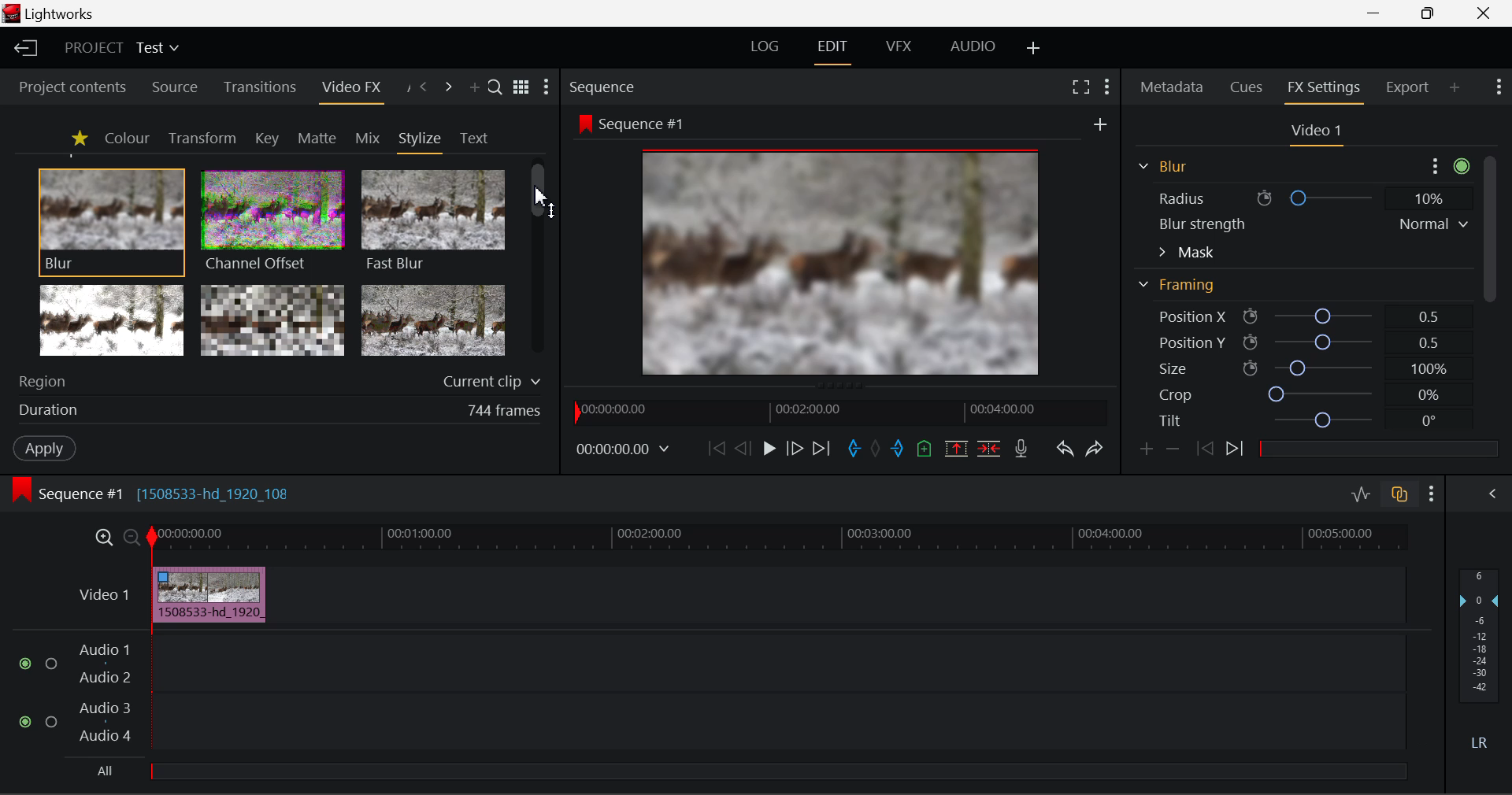 Image resolution: width=1512 pixels, height=795 pixels. Describe the element at coordinates (1317, 132) in the screenshot. I see `Video 1 Settings` at that location.